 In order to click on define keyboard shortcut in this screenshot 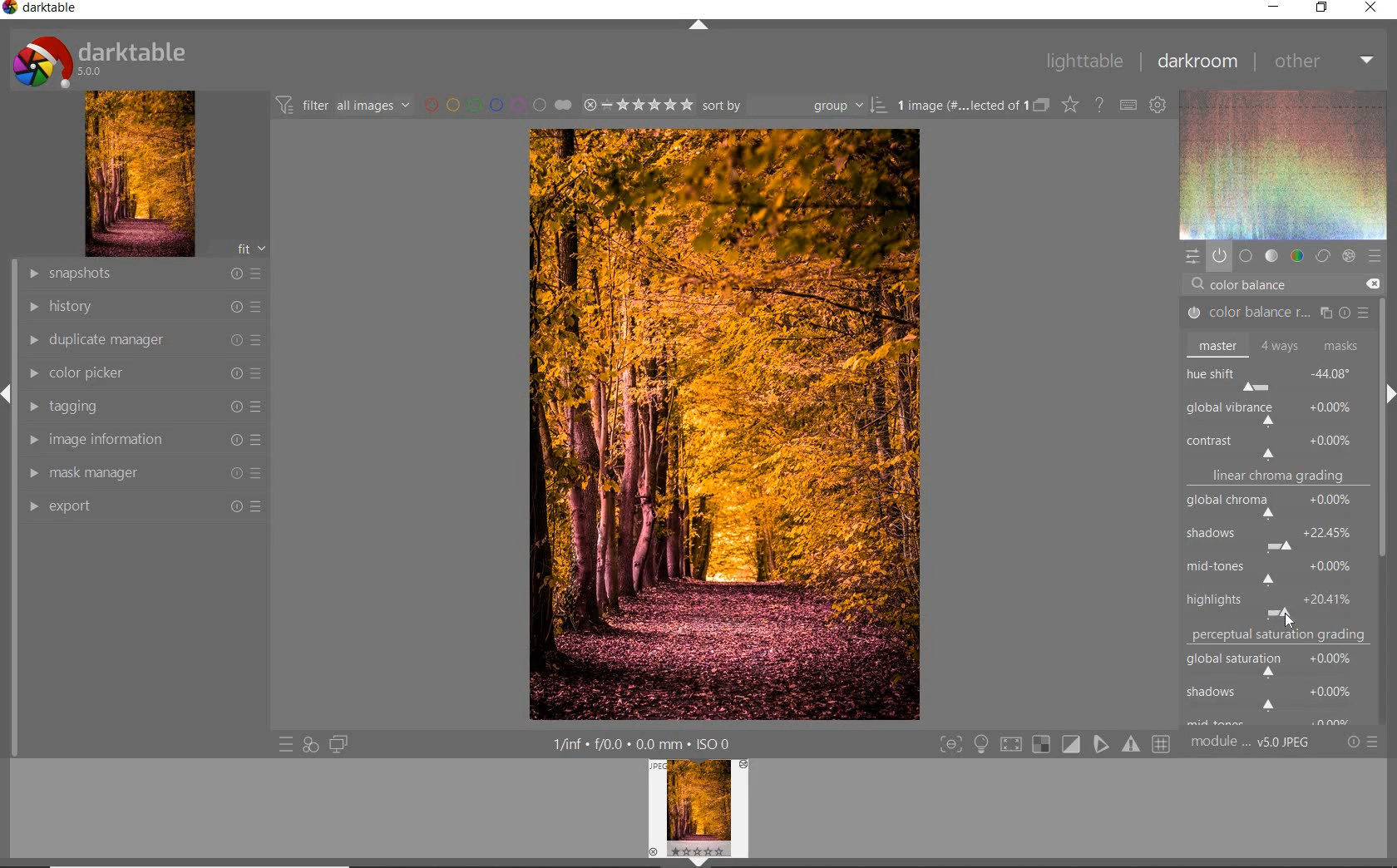, I will do `click(1128, 106)`.